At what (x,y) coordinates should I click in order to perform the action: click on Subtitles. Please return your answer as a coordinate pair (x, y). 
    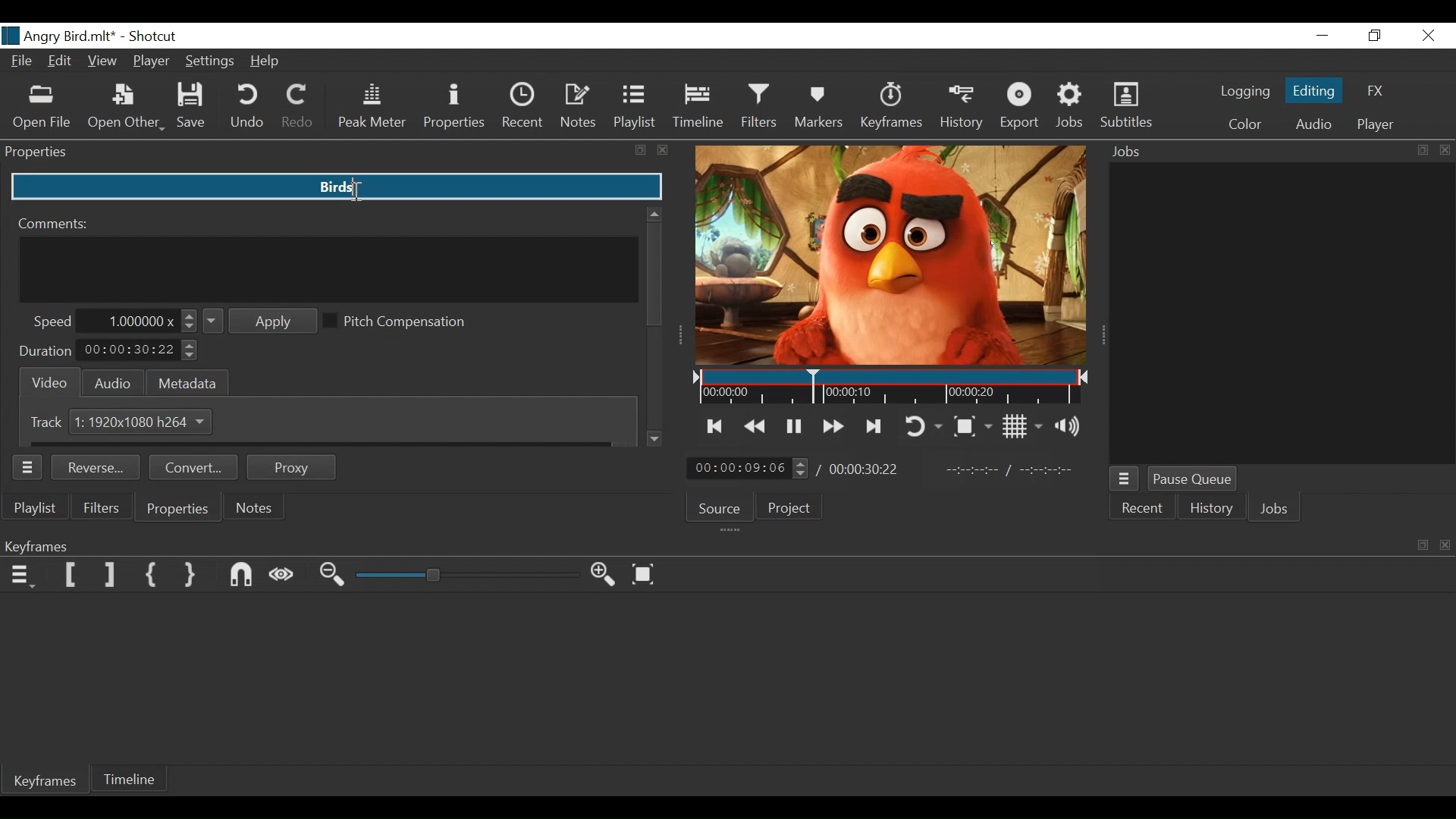
    Looking at the image, I should click on (1126, 106).